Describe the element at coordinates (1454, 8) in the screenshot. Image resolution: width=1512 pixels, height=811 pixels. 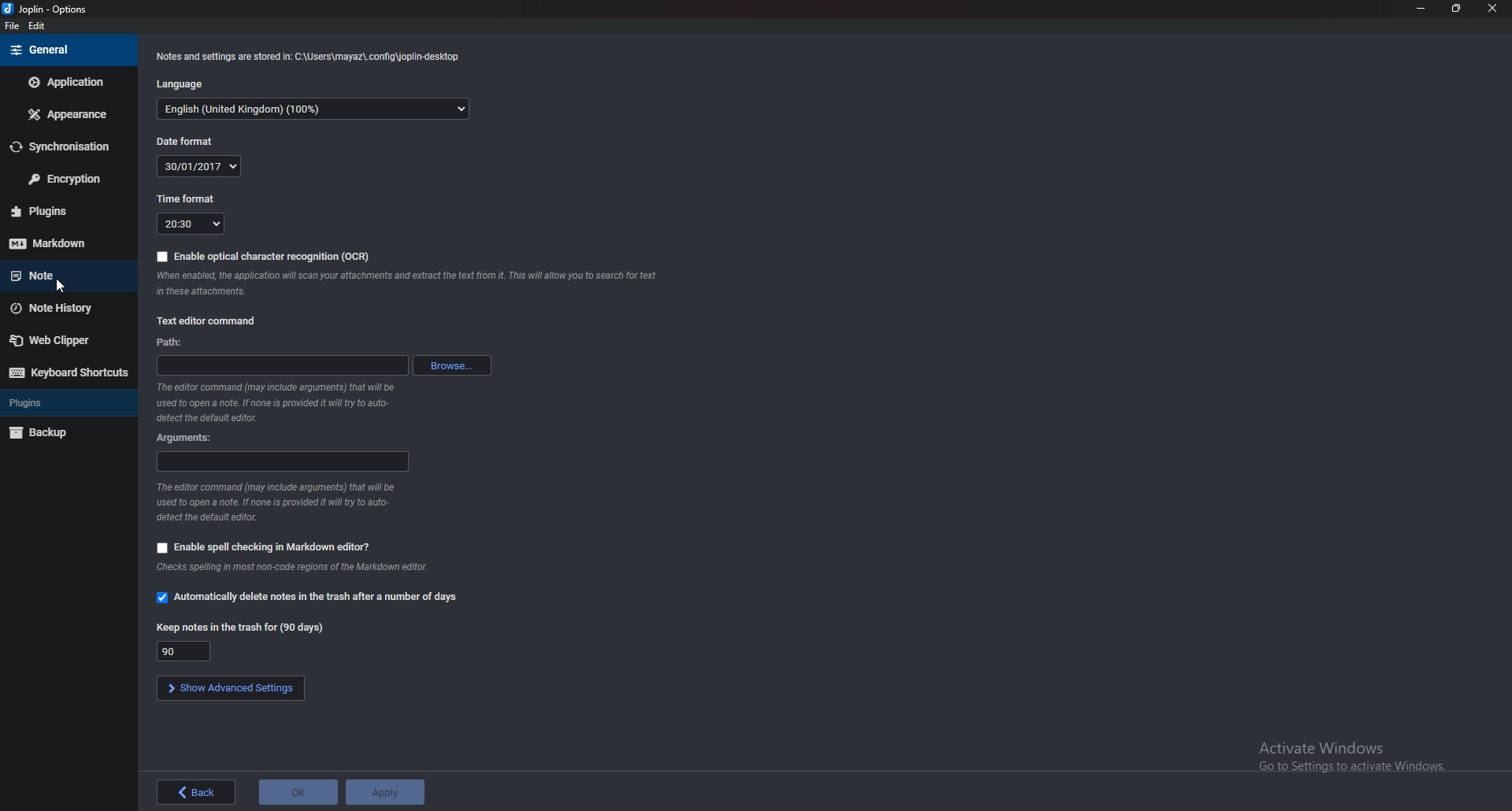
I see `Resize` at that location.